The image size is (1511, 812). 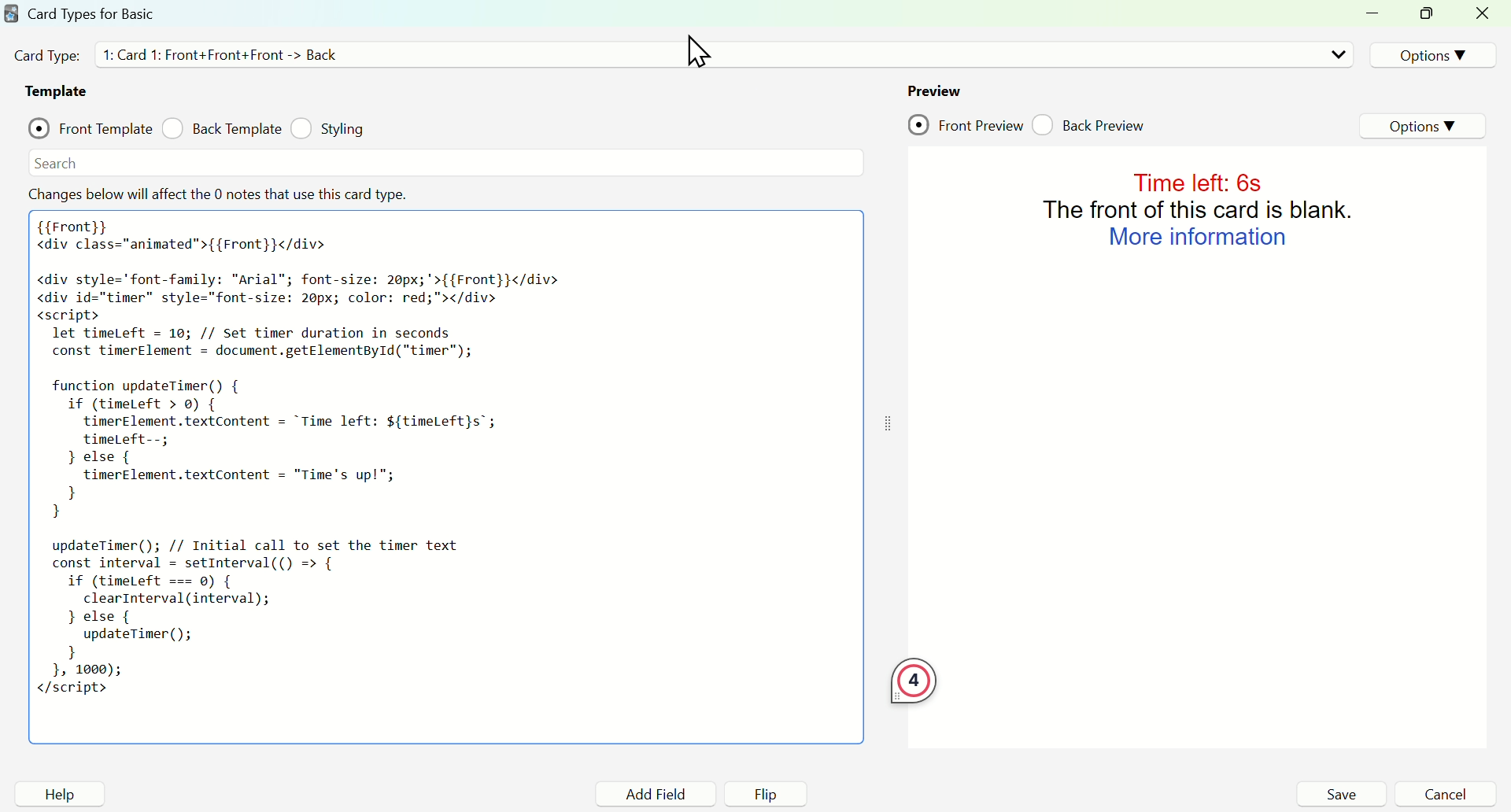 What do you see at coordinates (221, 128) in the screenshot?
I see `Back Template` at bounding box center [221, 128].